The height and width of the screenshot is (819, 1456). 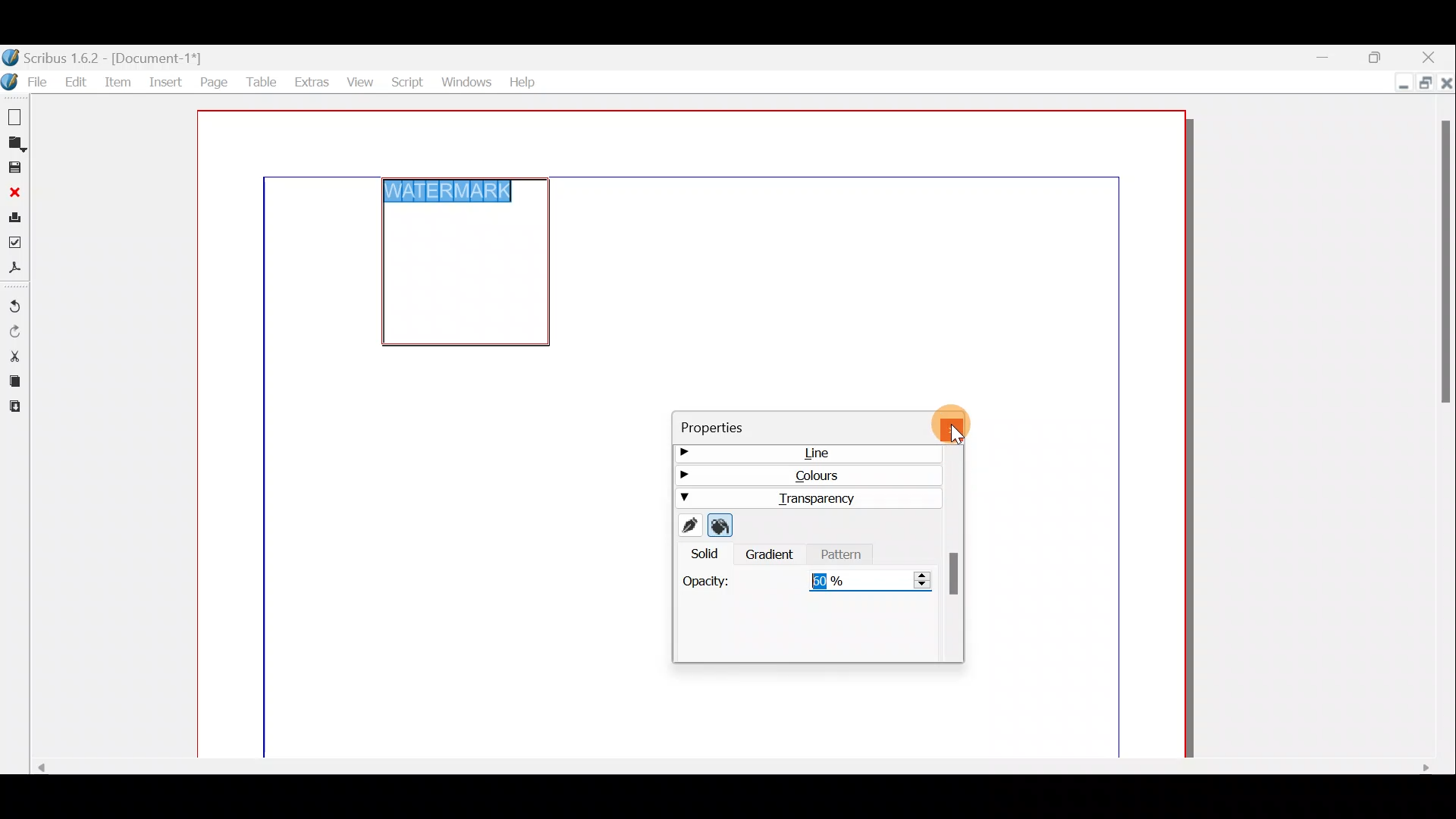 I want to click on Pattern, so click(x=844, y=555).